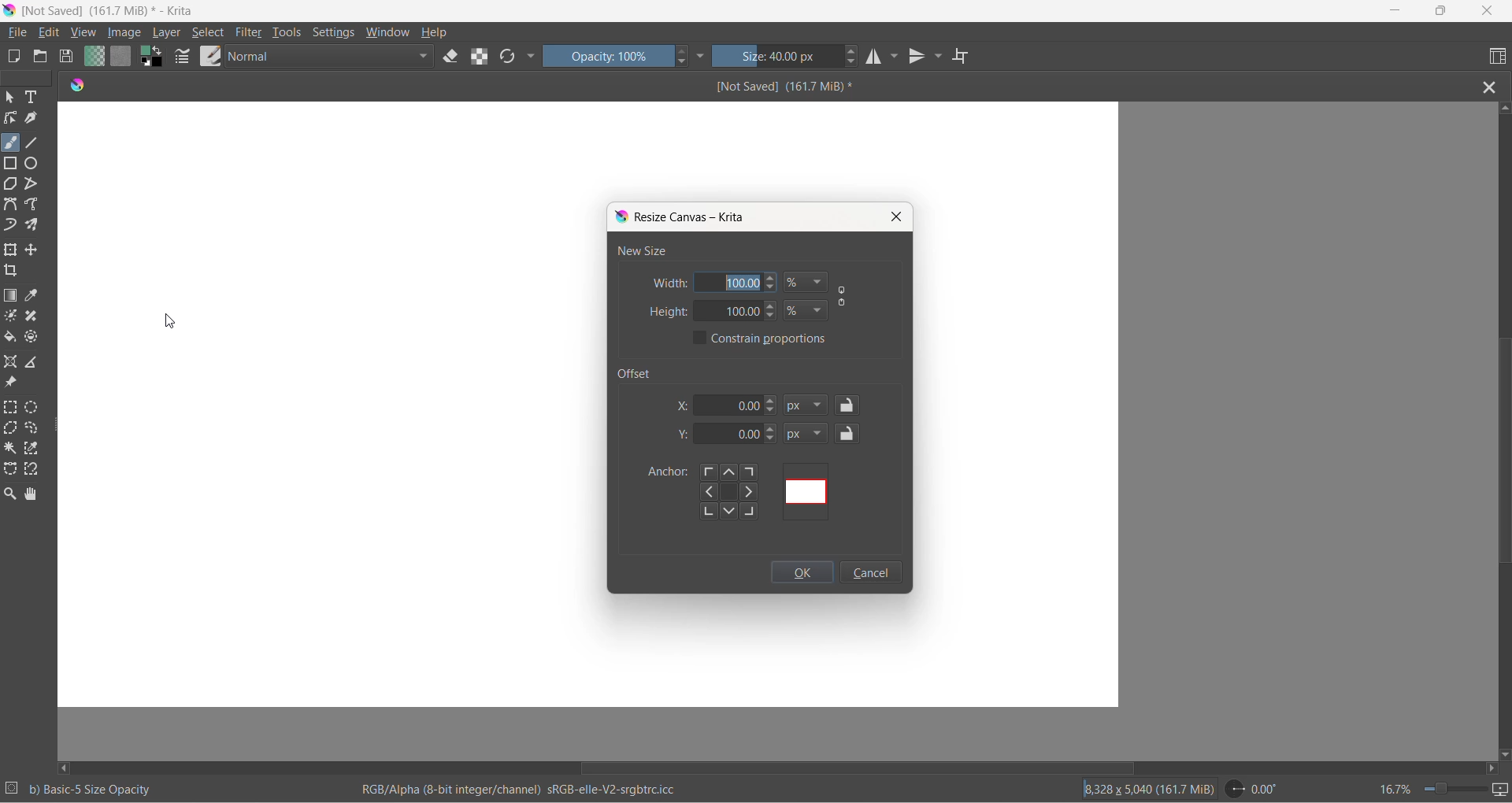 The height and width of the screenshot is (803, 1512). What do you see at coordinates (731, 405) in the screenshot?
I see `offset x-axis value box` at bounding box center [731, 405].